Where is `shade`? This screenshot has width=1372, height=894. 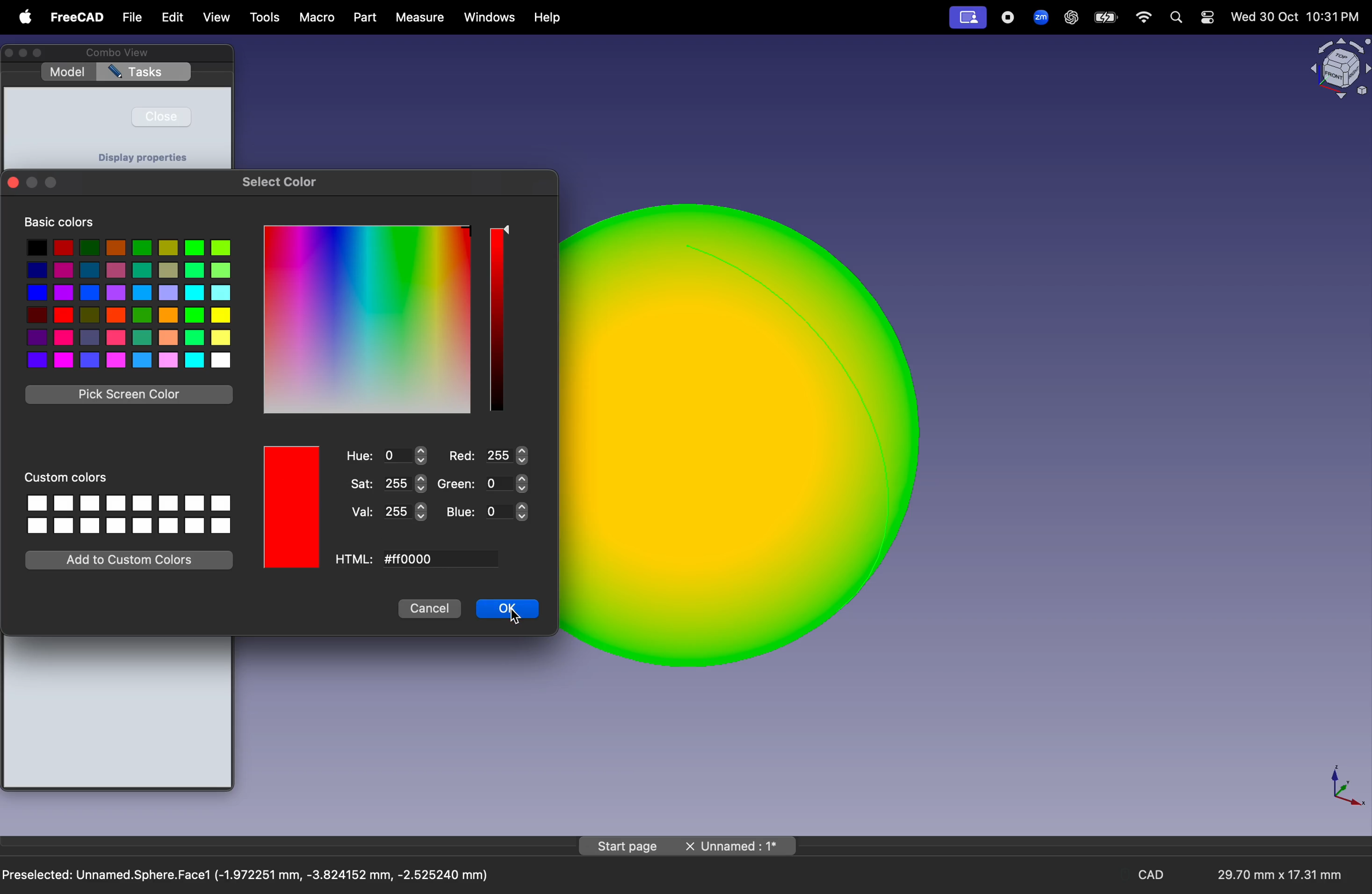
shade is located at coordinates (496, 319).